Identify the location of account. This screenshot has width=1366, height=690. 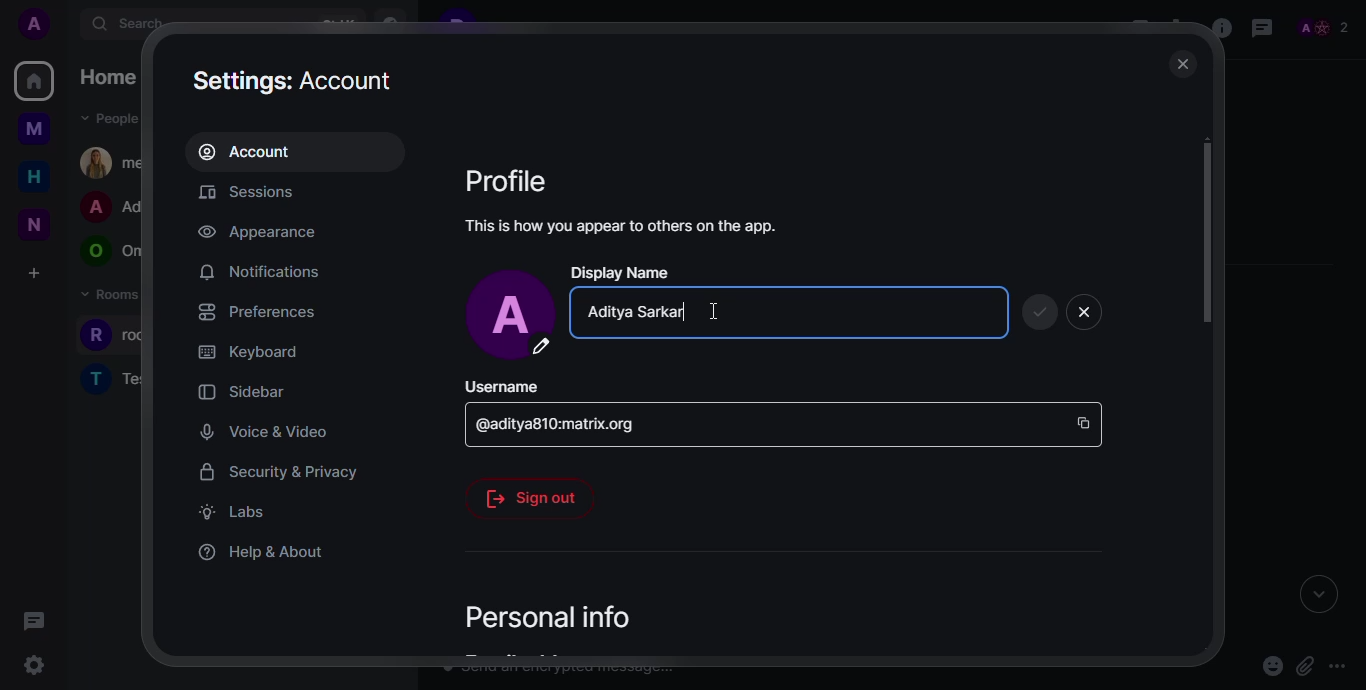
(253, 151).